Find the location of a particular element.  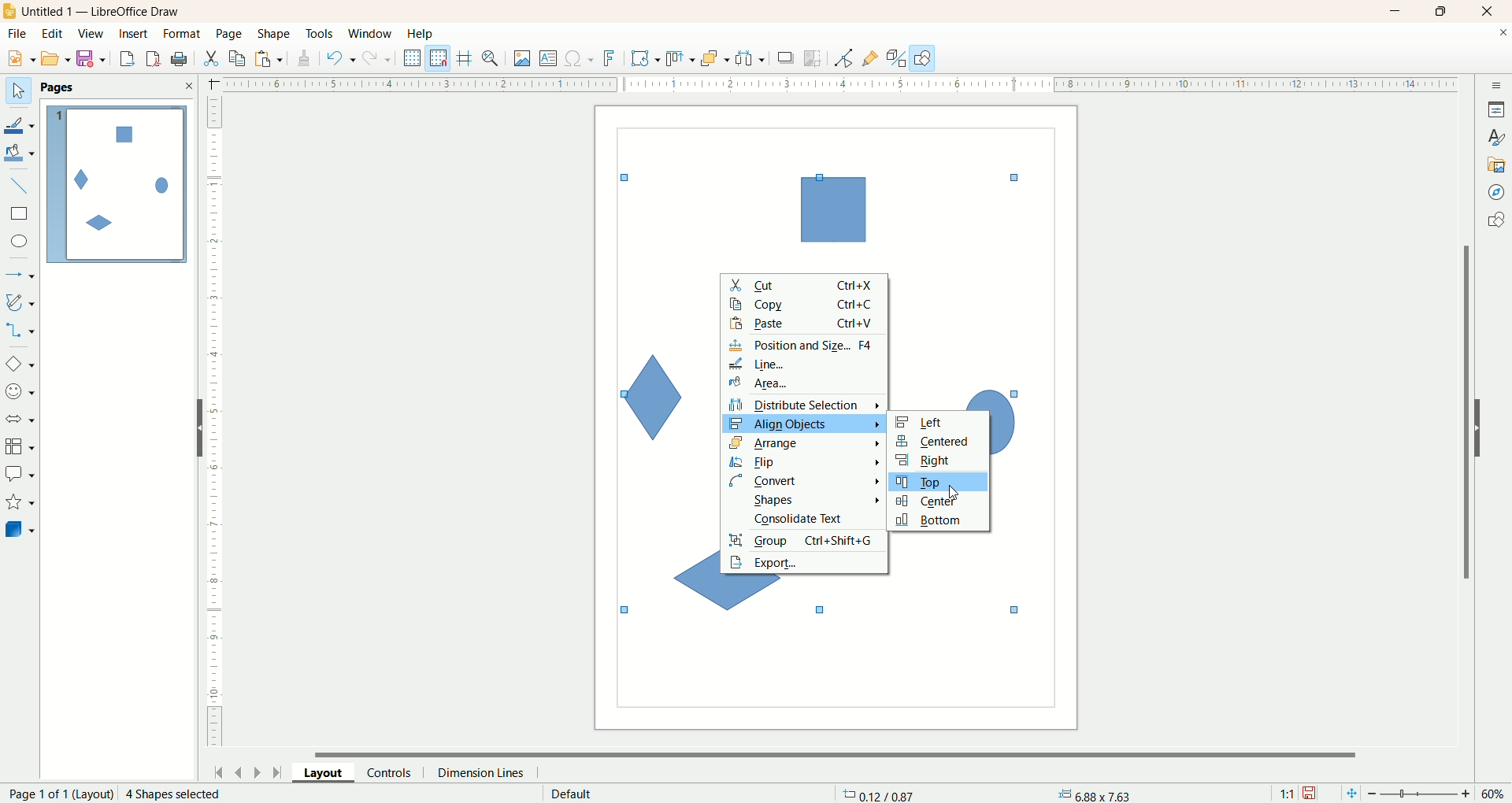

arrange is located at coordinates (806, 442).